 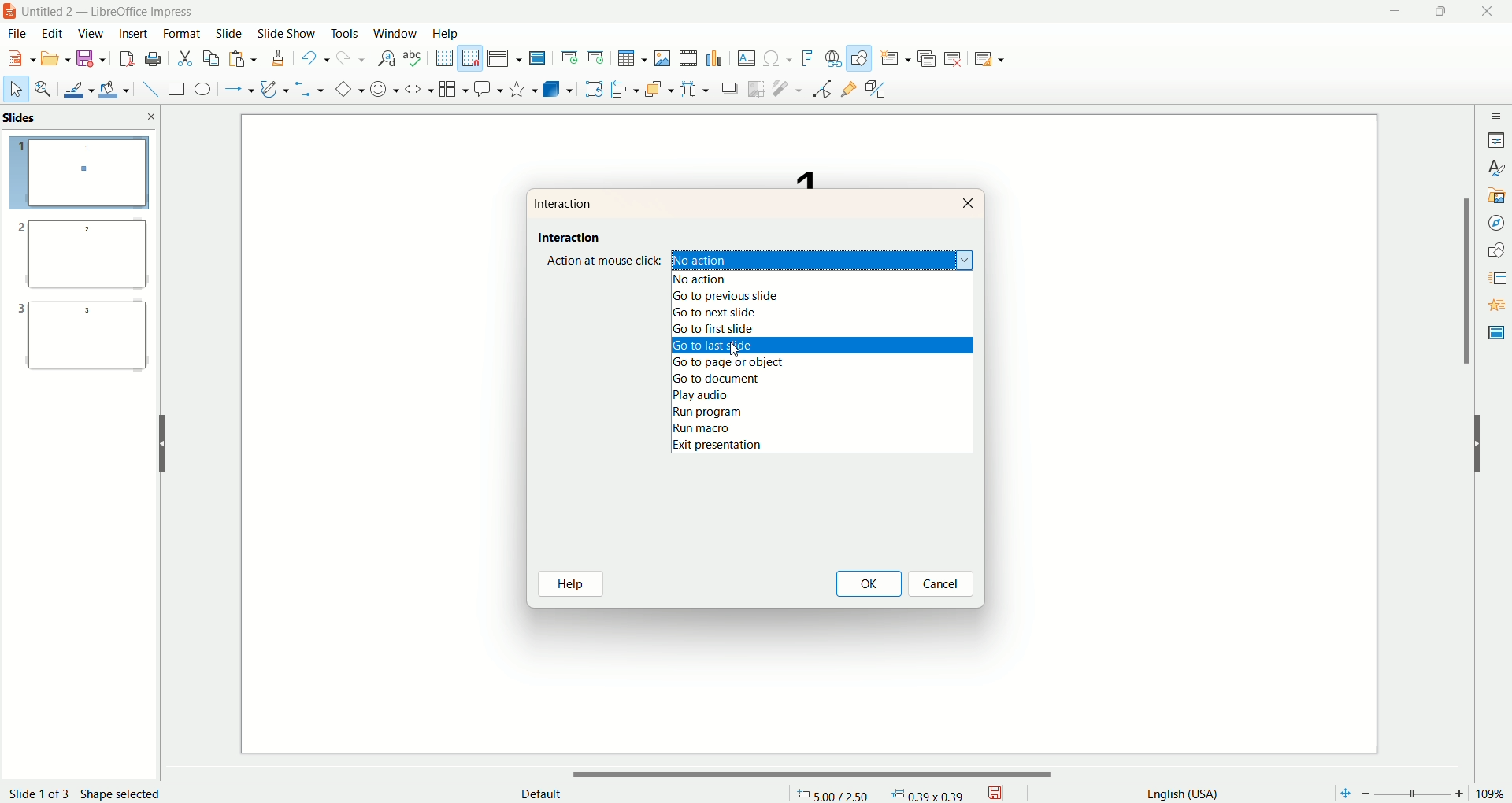 What do you see at coordinates (202, 91) in the screenshot?
I see `ellipse` at bounding box center [202, 91].